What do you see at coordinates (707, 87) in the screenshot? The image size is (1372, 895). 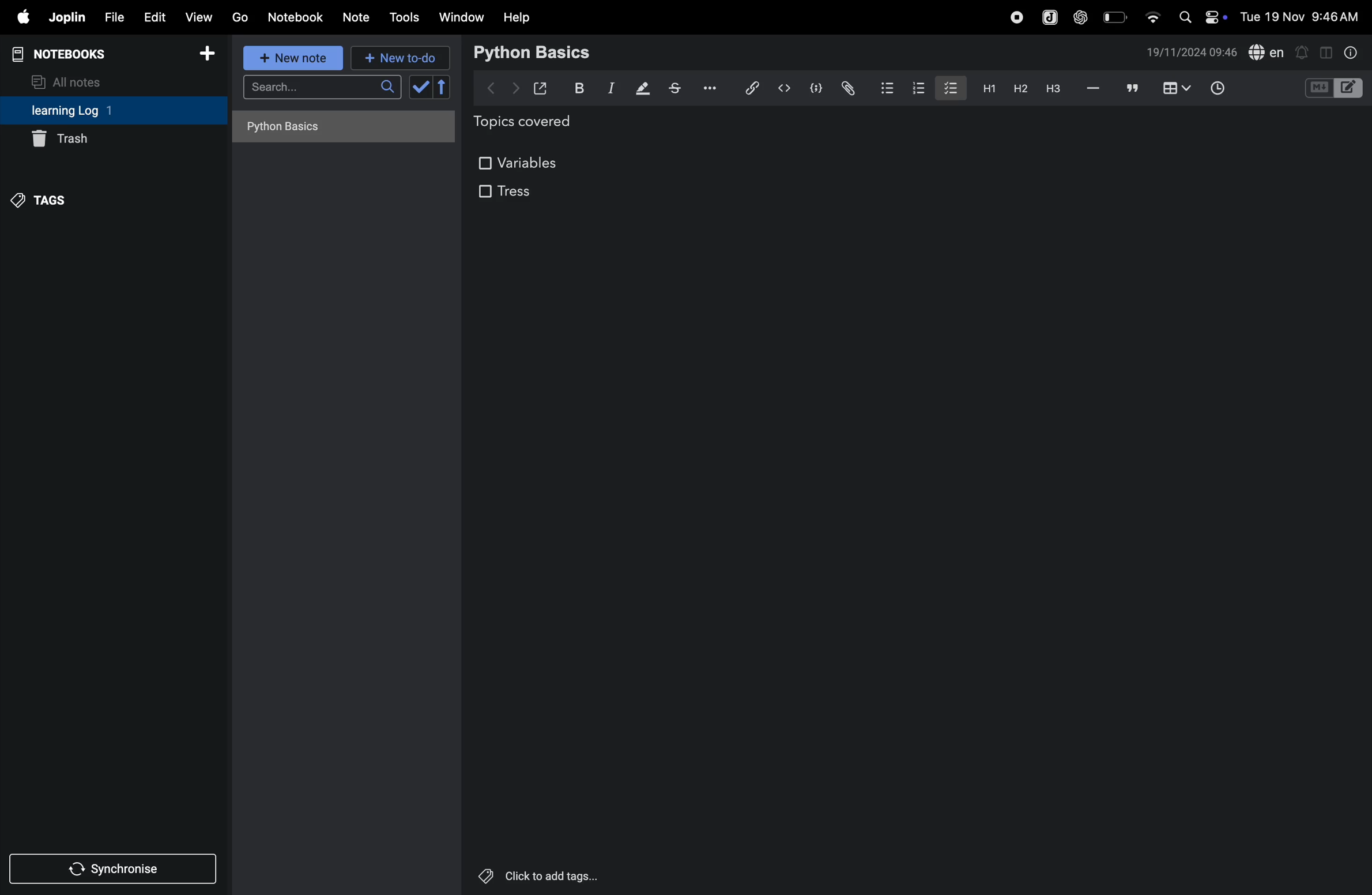 I see `options` at bounding box center [707, 87].